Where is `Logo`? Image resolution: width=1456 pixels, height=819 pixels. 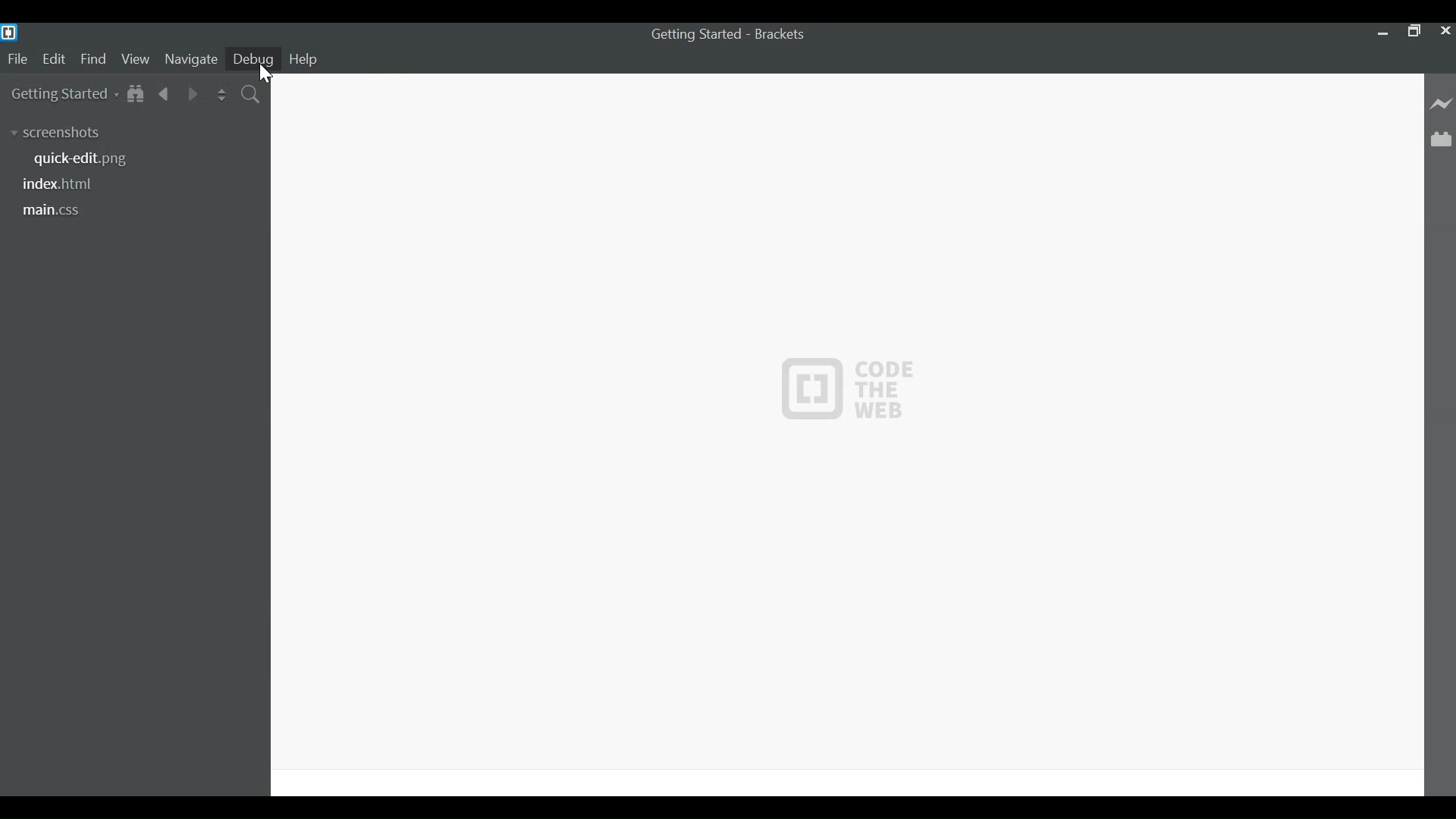 Logo is located at coordinates (850, 388).